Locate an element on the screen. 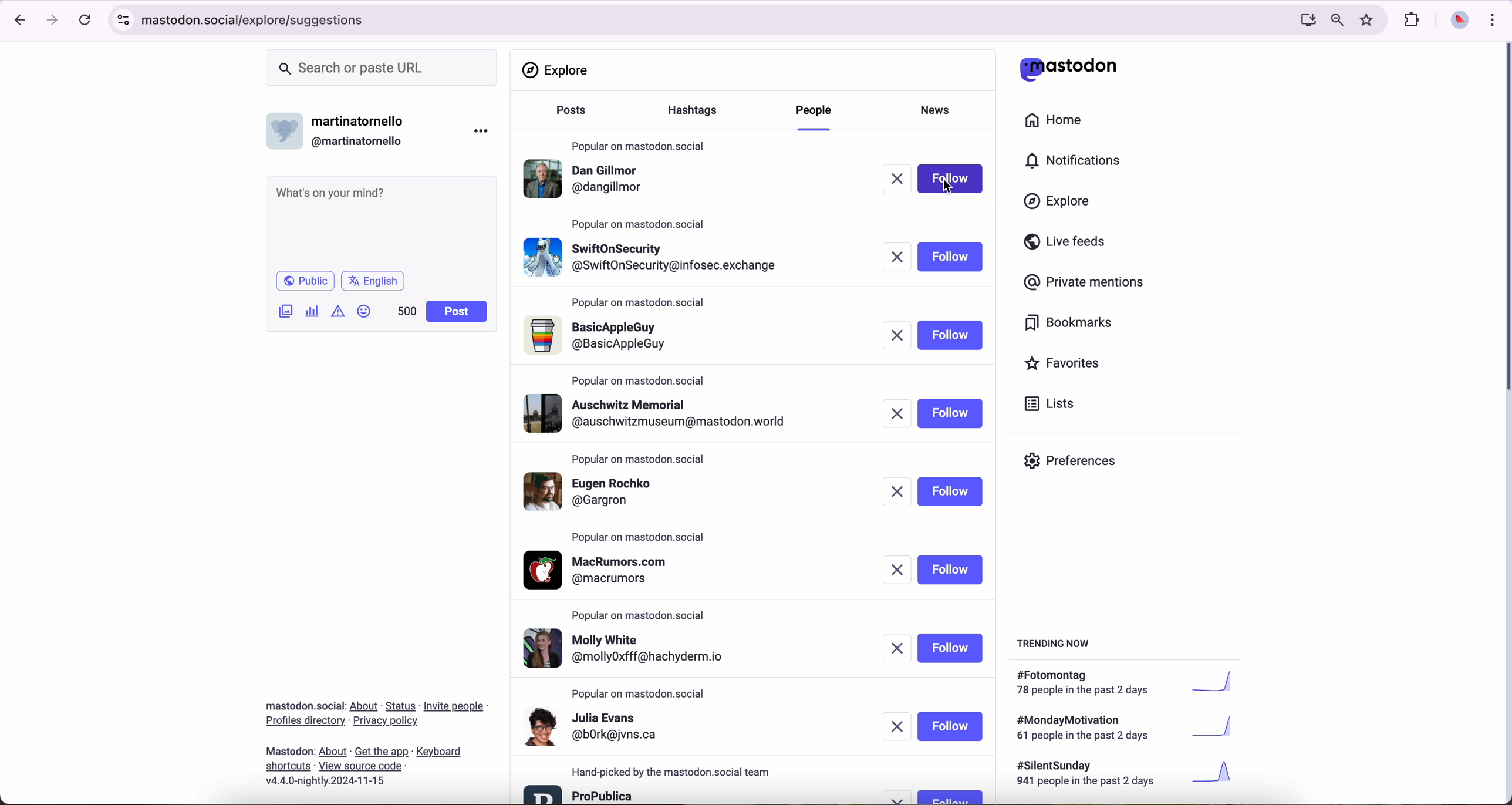 Image resolution: width=1512 pixels, height=805 pixels. favorites is located at coordinates (1369, 20).